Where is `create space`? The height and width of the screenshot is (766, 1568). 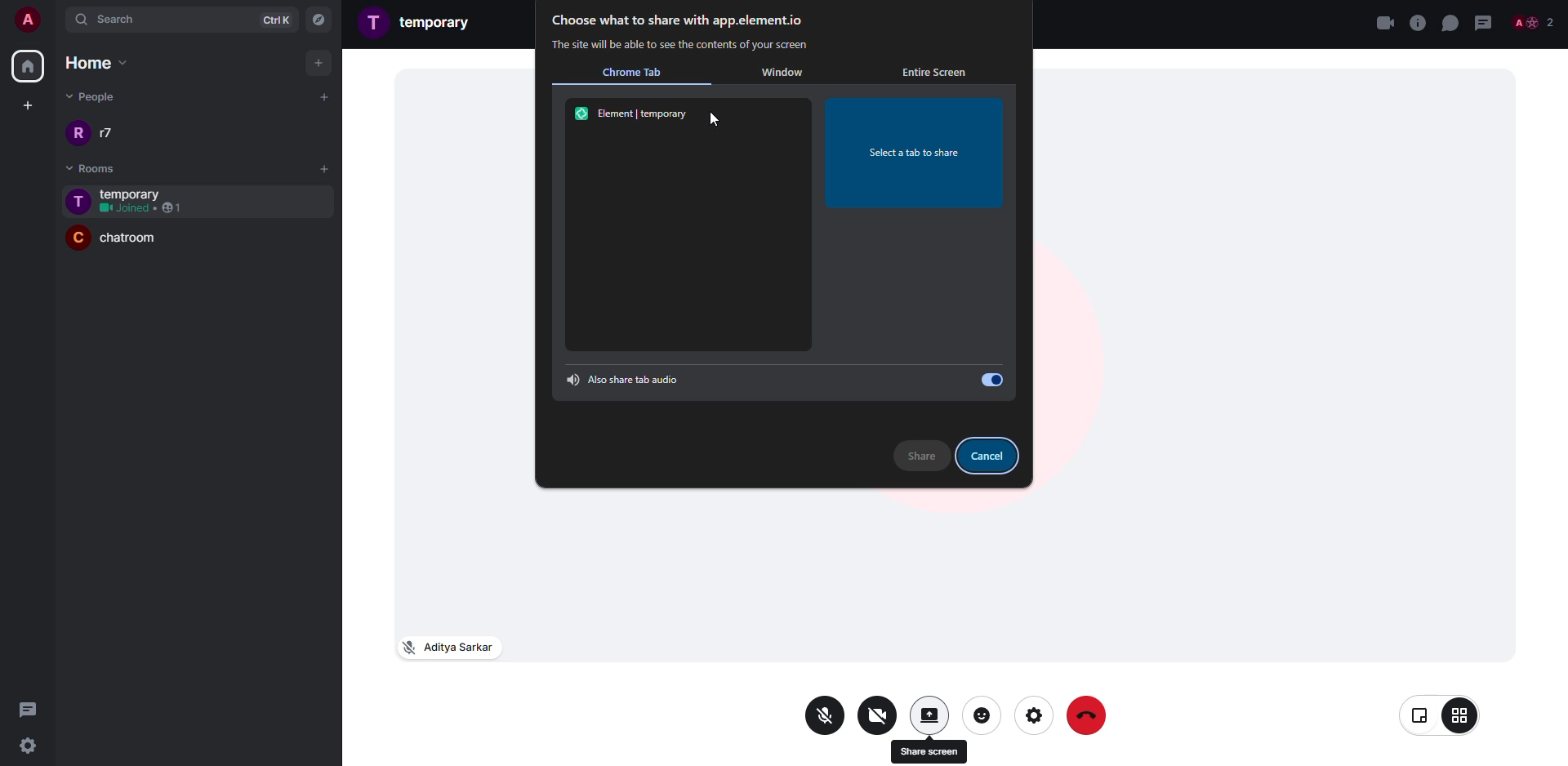
create space is located at coordinates (24, 105).